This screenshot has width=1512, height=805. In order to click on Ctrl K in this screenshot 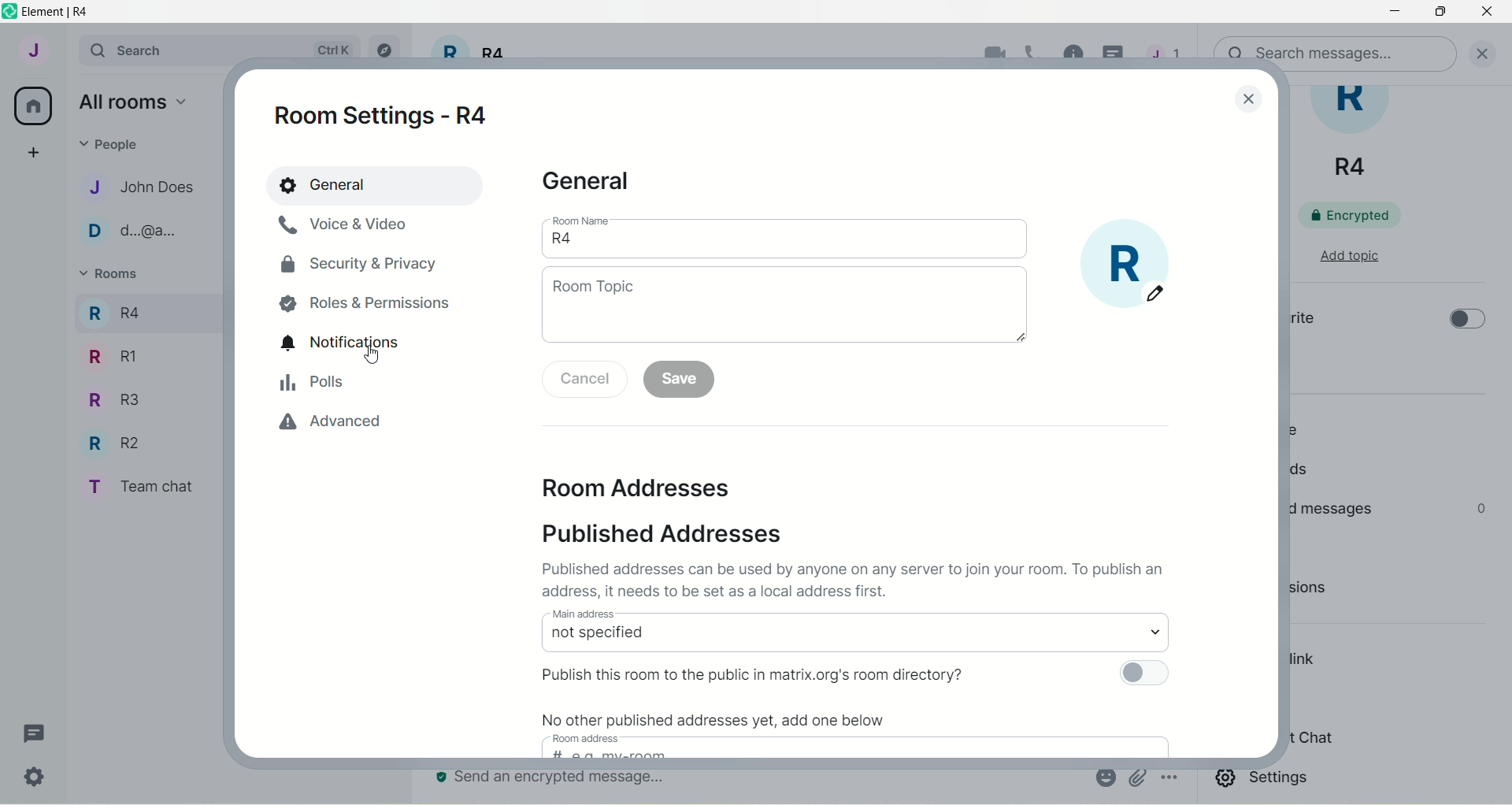, I will do `click(330, 50)`.